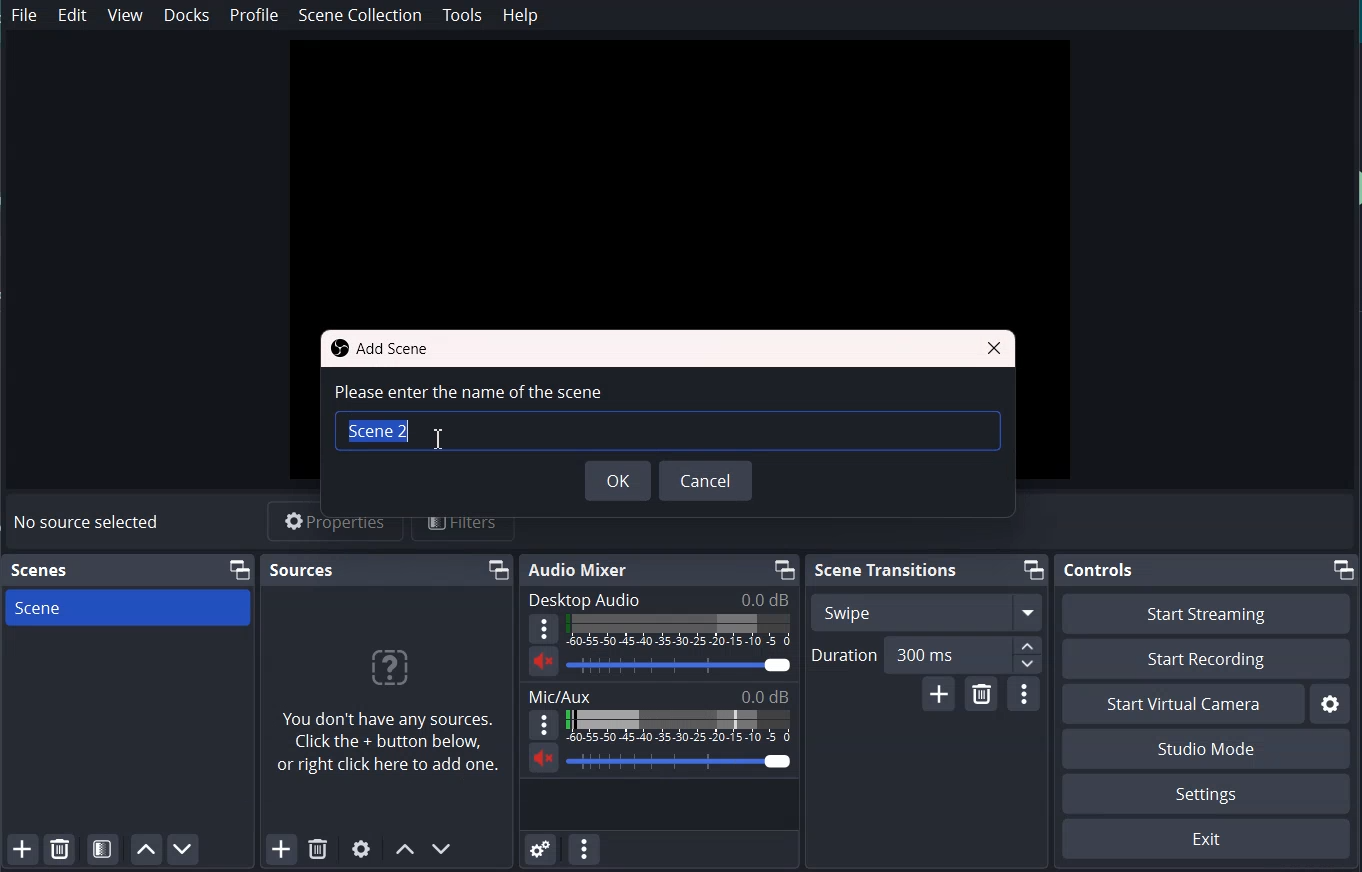 Image resolution: width=1362 pixels, height=872 pixels. Describe the element at coordinates (42, 571) in the screenshot. I see `Text ` at that location.